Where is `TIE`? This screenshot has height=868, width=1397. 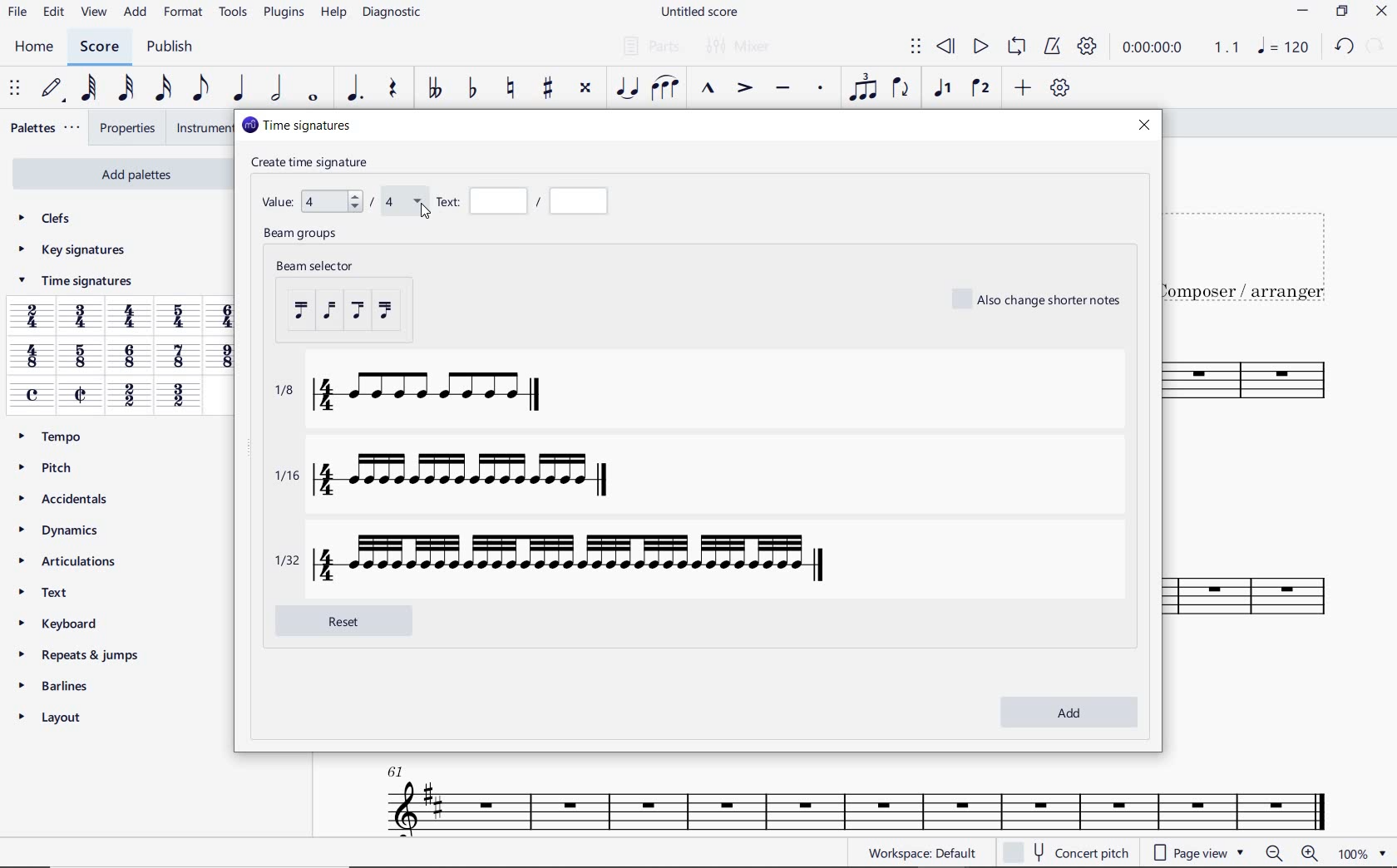
TIE is located at coordinates (627, 86).